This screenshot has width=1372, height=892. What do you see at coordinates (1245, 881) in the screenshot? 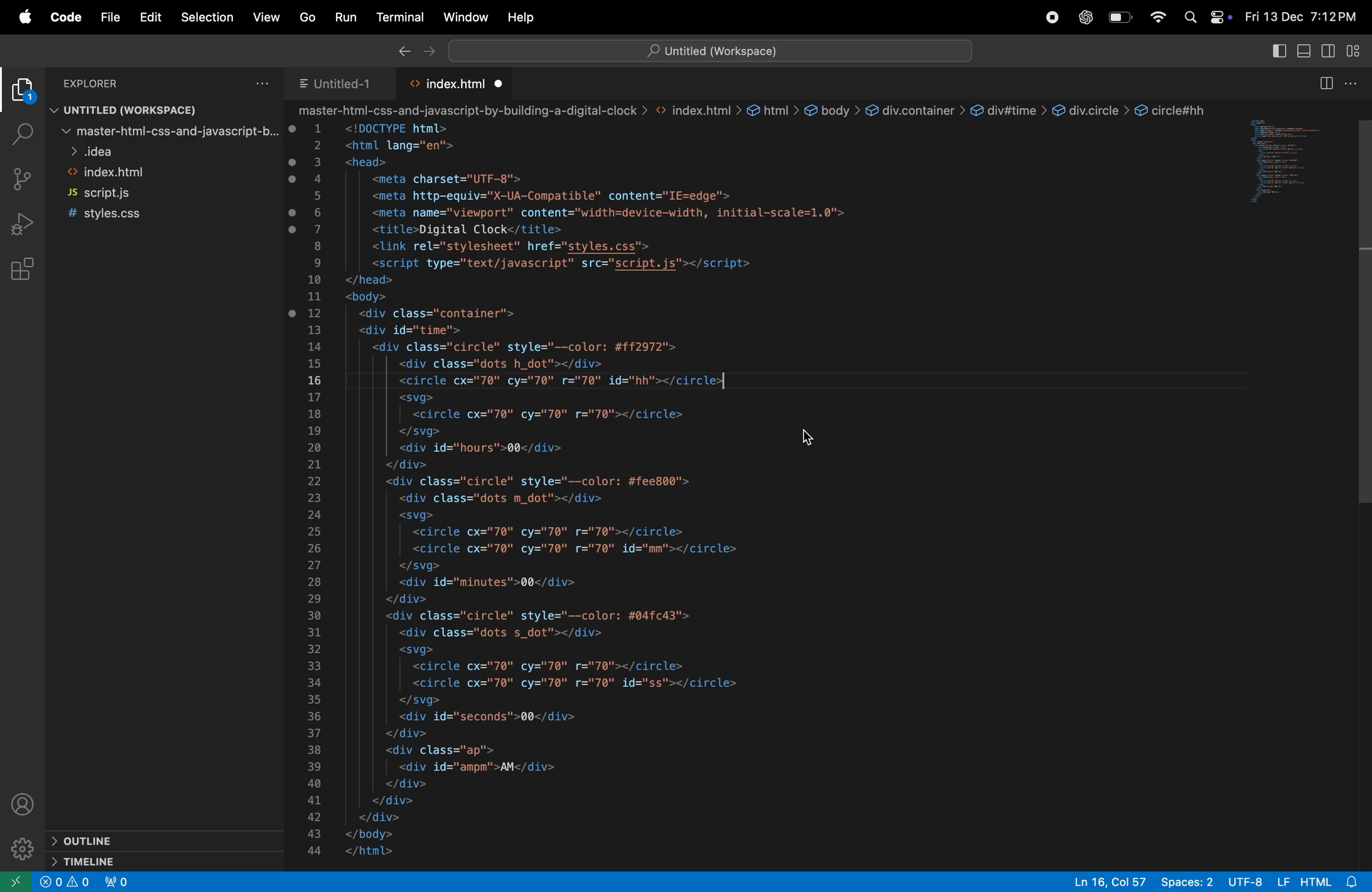
I see `utf 8` at bounding box center [1245, 881].